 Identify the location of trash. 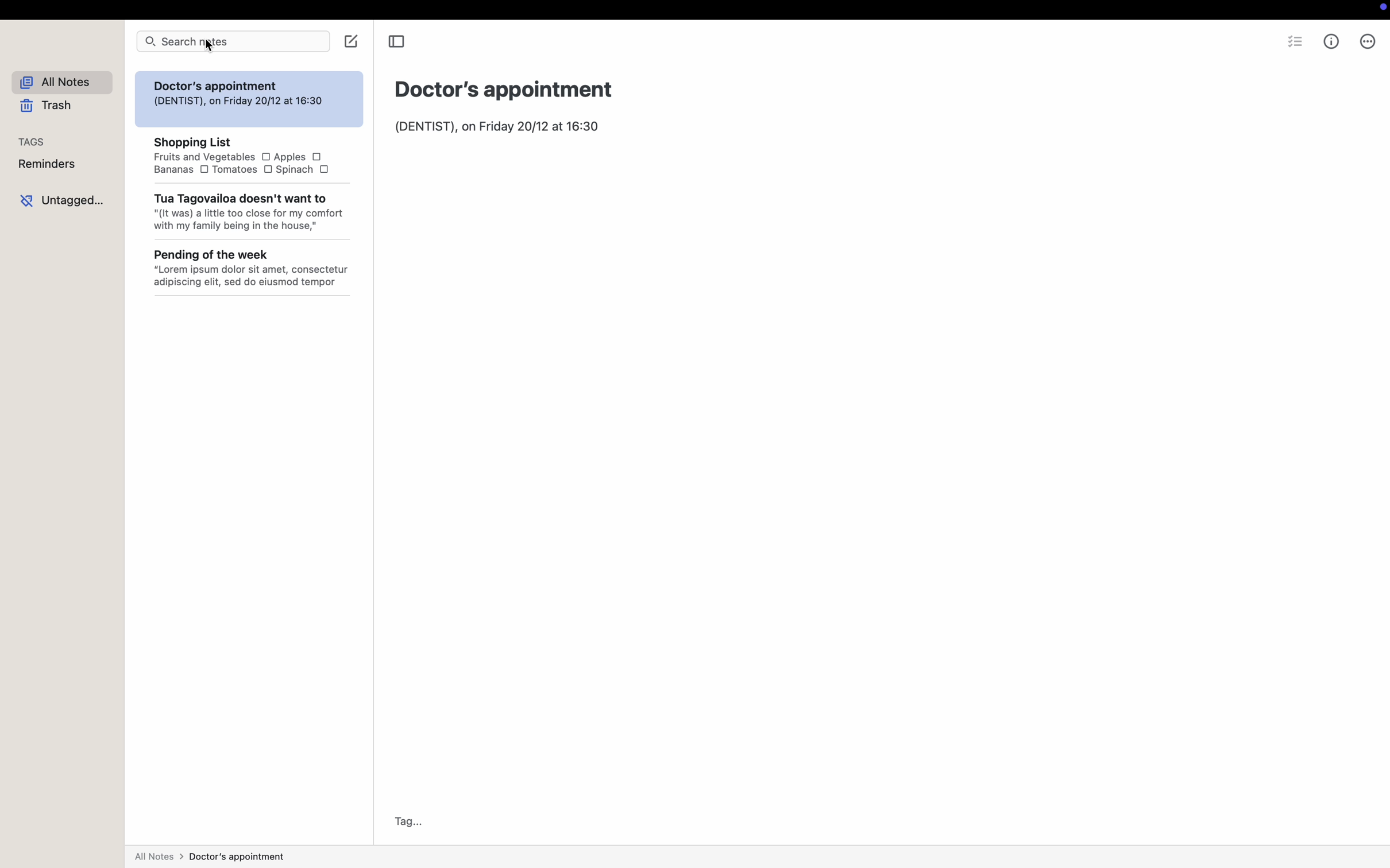
(48, 106).